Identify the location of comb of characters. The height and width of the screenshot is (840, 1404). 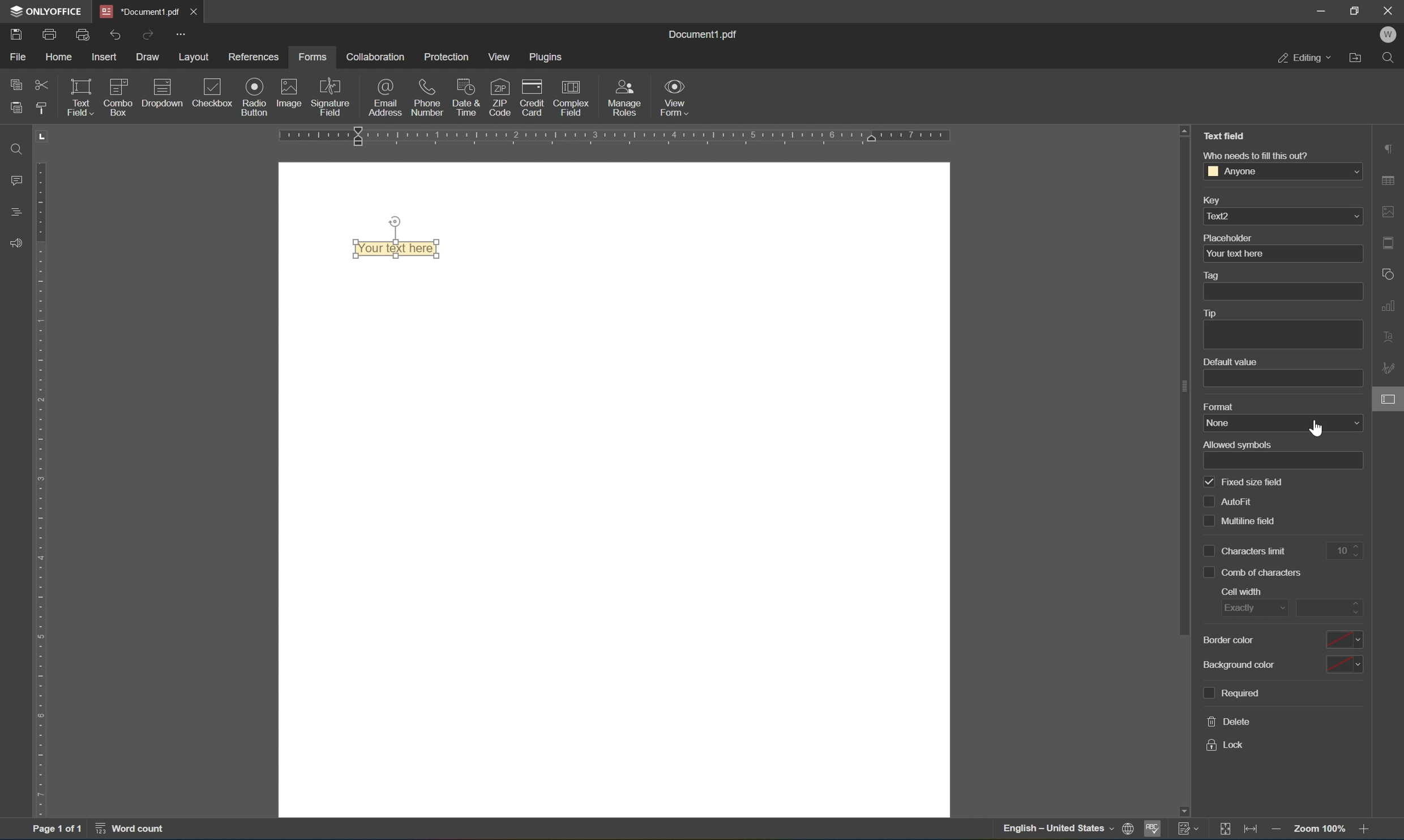
(1253, 573).